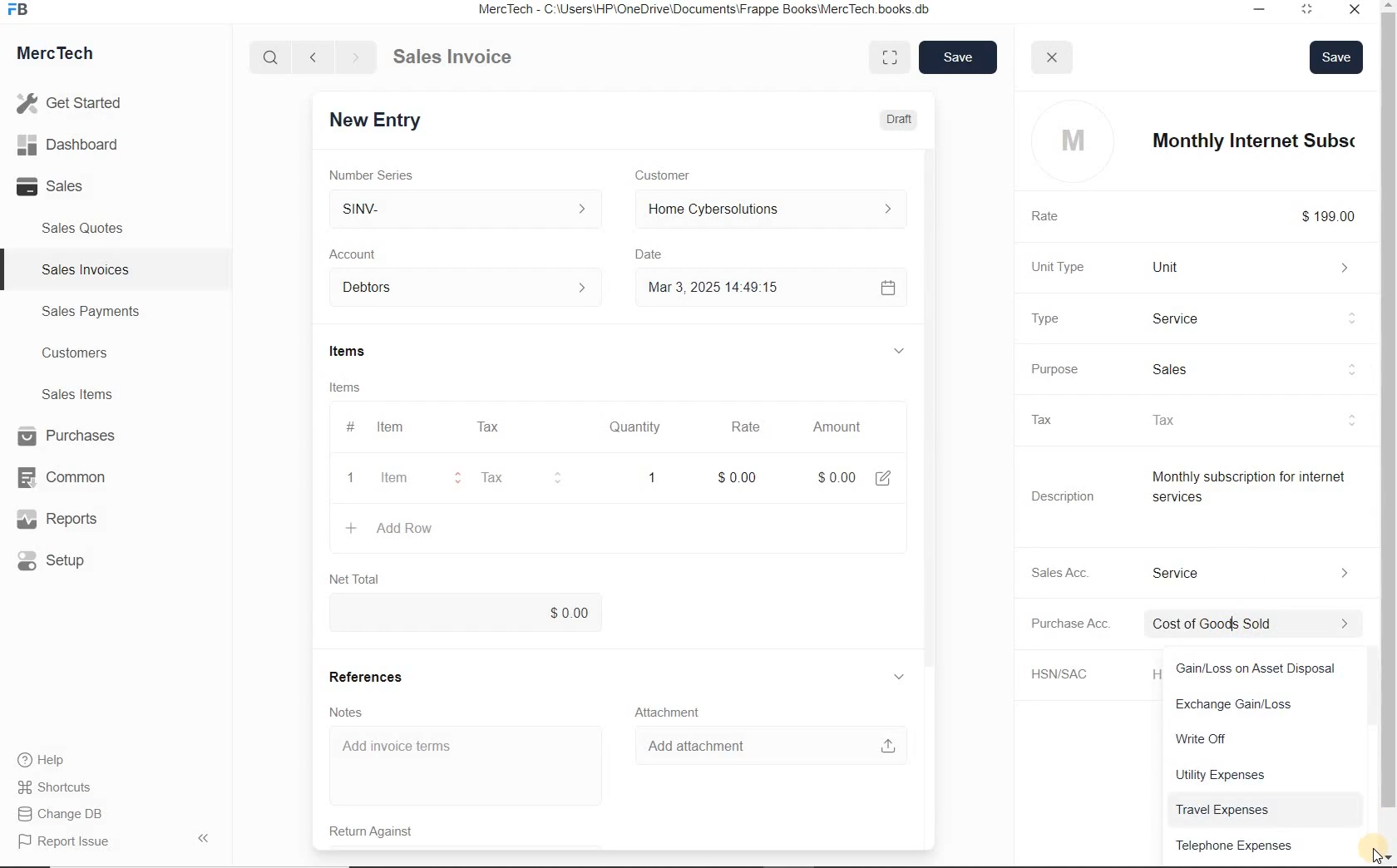  What do you see at coordinates (391, 830) in the screenshot?
I see `Return Against` at bounding box center [391, 830].